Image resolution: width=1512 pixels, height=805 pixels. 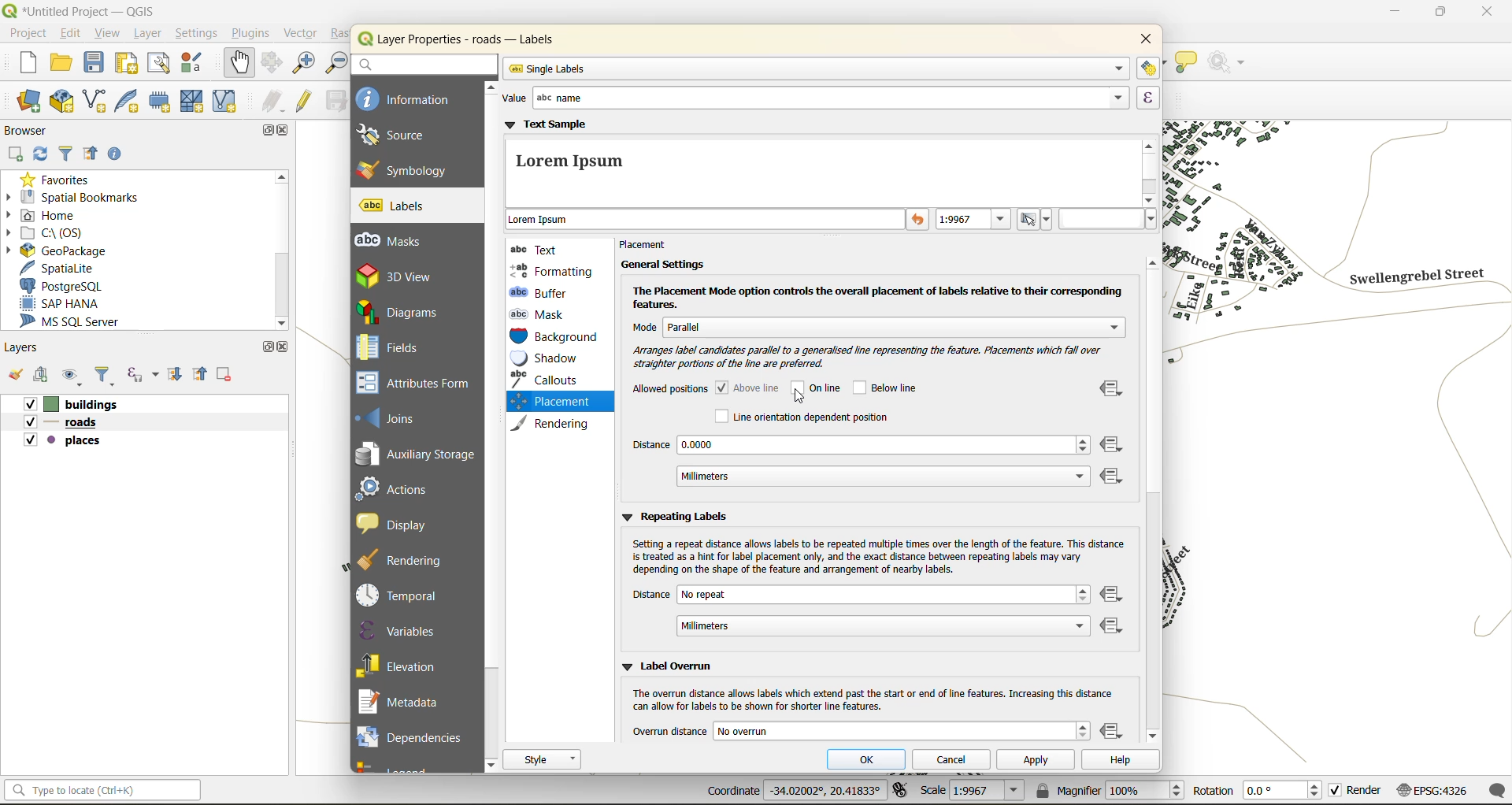 What do you see at coordinates (74, 376) in the screenshot?
I see `manage map` at bounding box center [74, 376].